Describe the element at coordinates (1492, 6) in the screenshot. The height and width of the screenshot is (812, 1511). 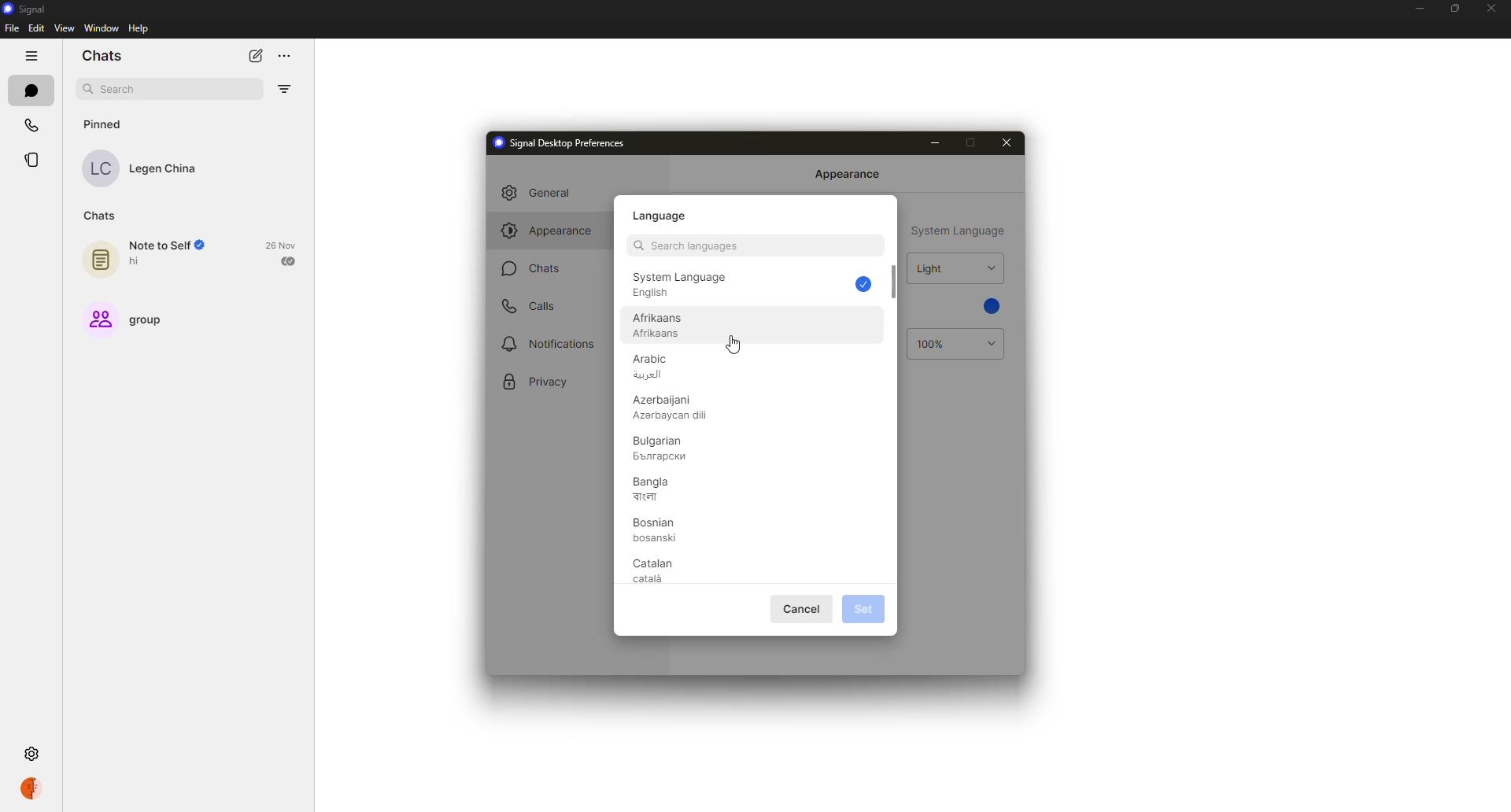
I see `close` at that location.